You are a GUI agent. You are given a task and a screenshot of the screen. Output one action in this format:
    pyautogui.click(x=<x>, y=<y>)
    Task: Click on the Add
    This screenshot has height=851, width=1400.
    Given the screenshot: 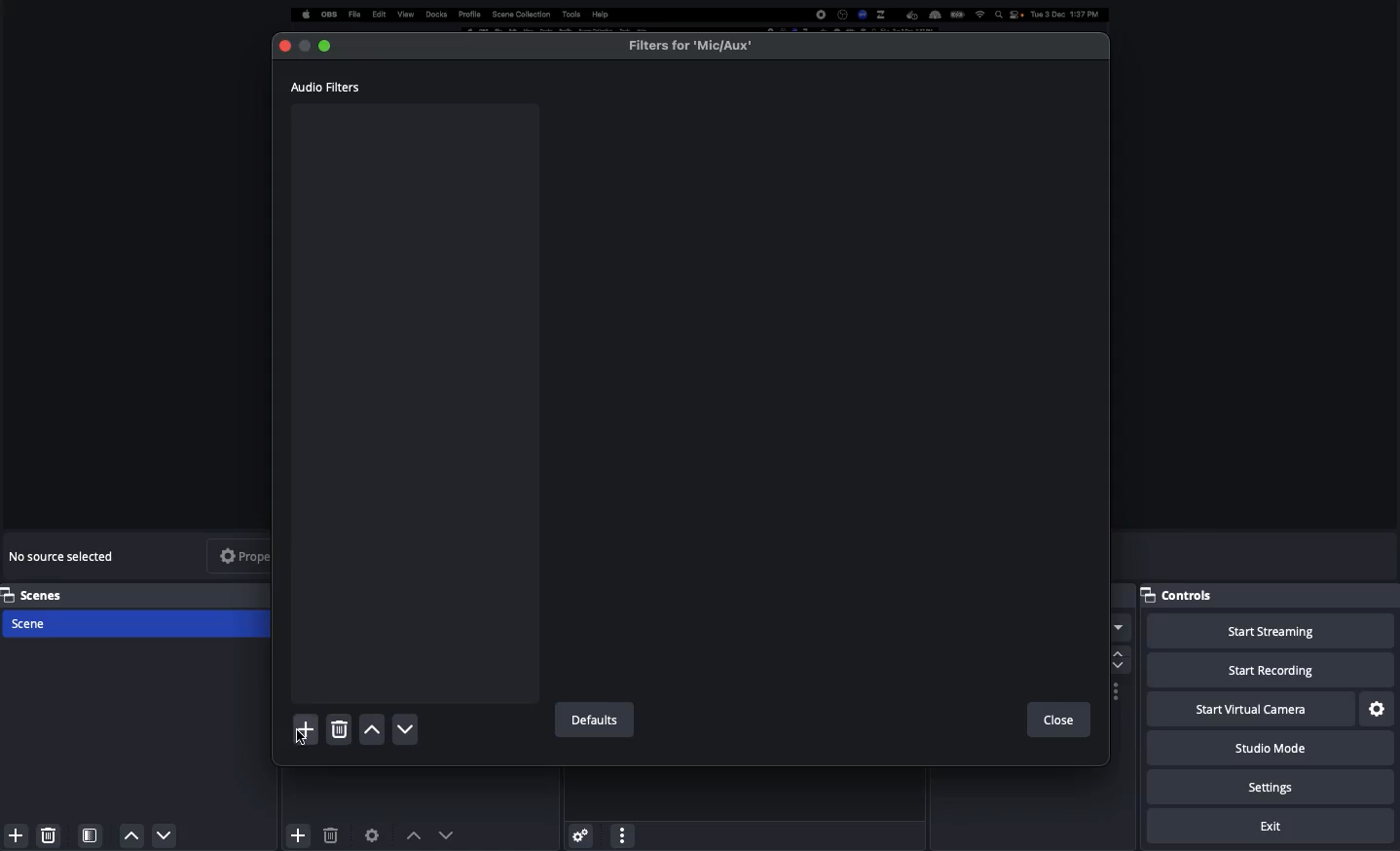 What is the action you would take?
    pyautogui.click(x=296, y=832)
    